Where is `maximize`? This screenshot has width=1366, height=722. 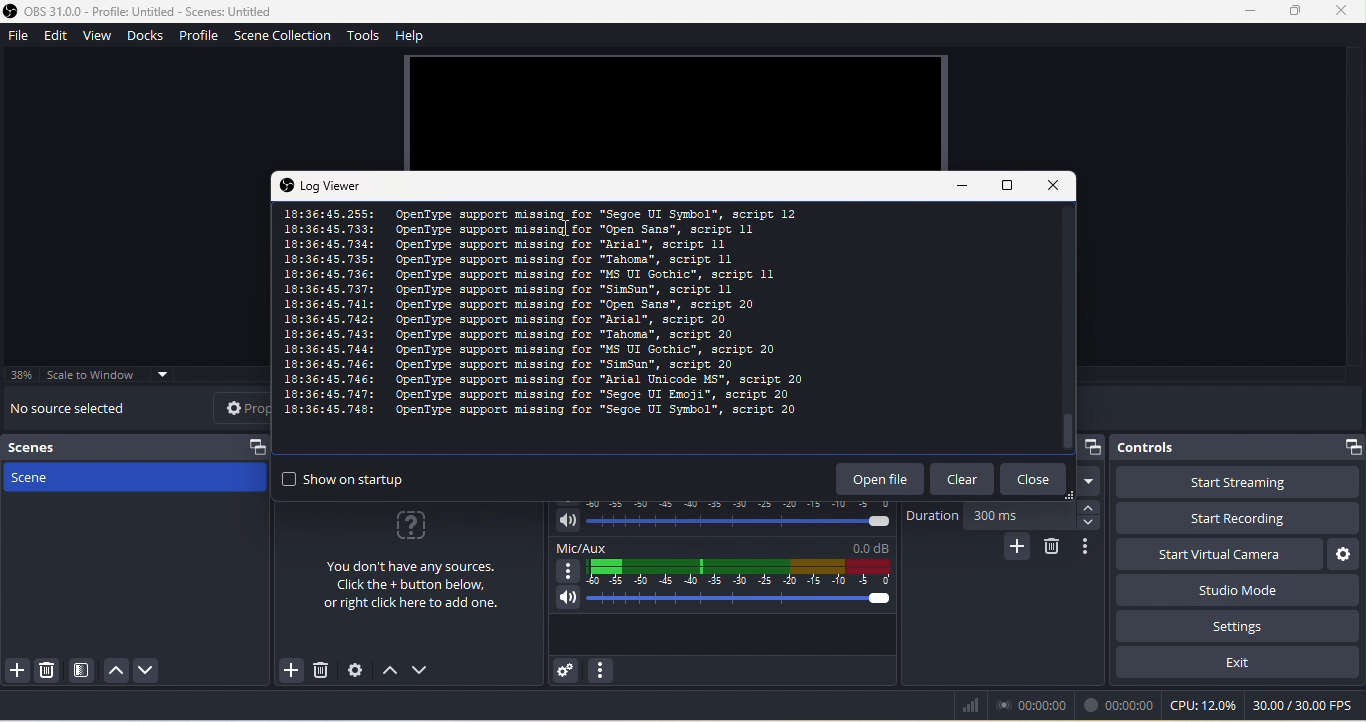
maximize is located at coordinates (1292, 11).